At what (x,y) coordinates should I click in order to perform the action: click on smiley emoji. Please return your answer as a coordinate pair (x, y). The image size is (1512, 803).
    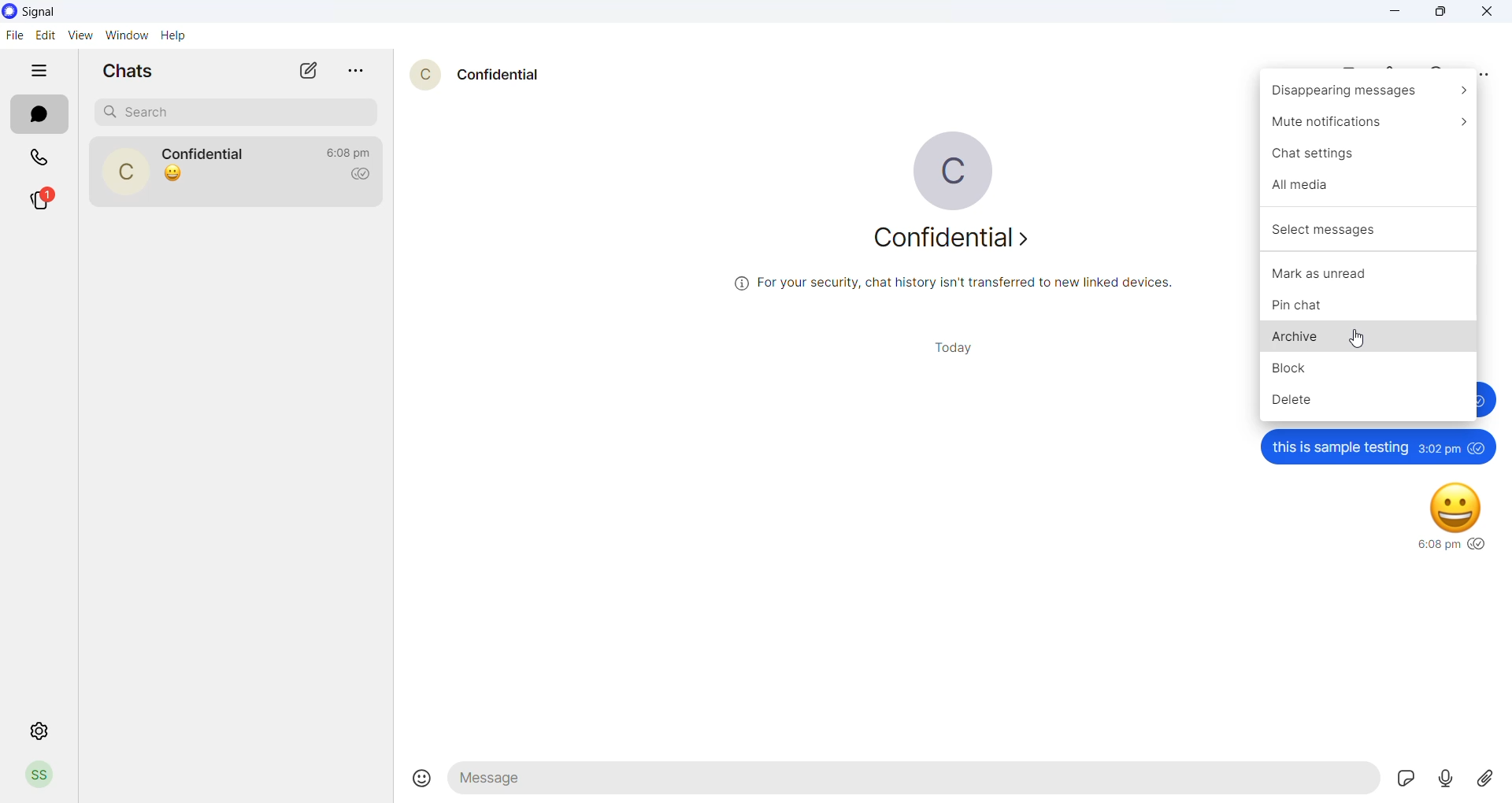
    Looking at the image, I should click on (1451, 504).